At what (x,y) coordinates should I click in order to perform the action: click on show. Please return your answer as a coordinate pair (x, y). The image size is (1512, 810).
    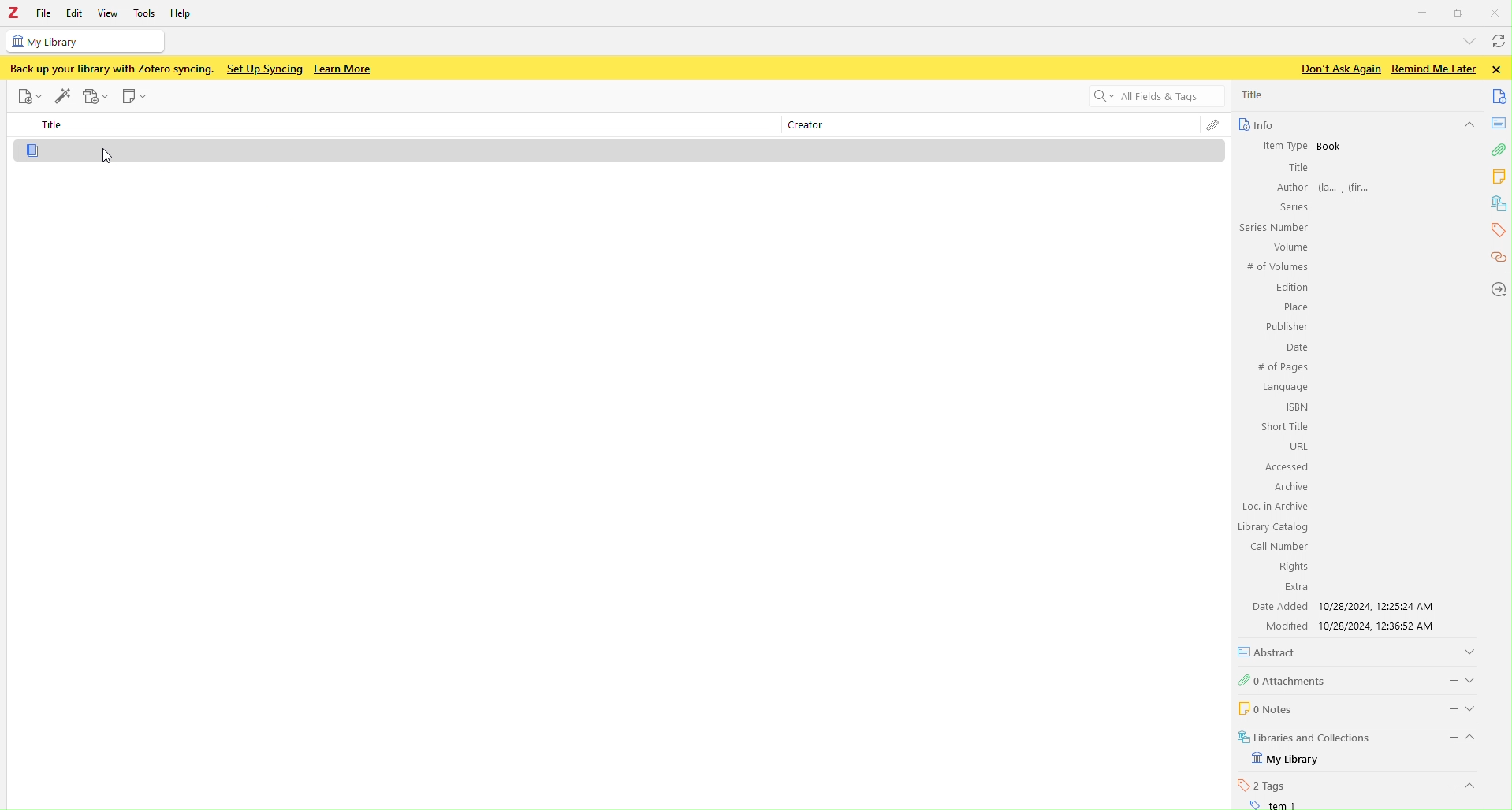
    Looking at the image, I should click on (1476, 708).